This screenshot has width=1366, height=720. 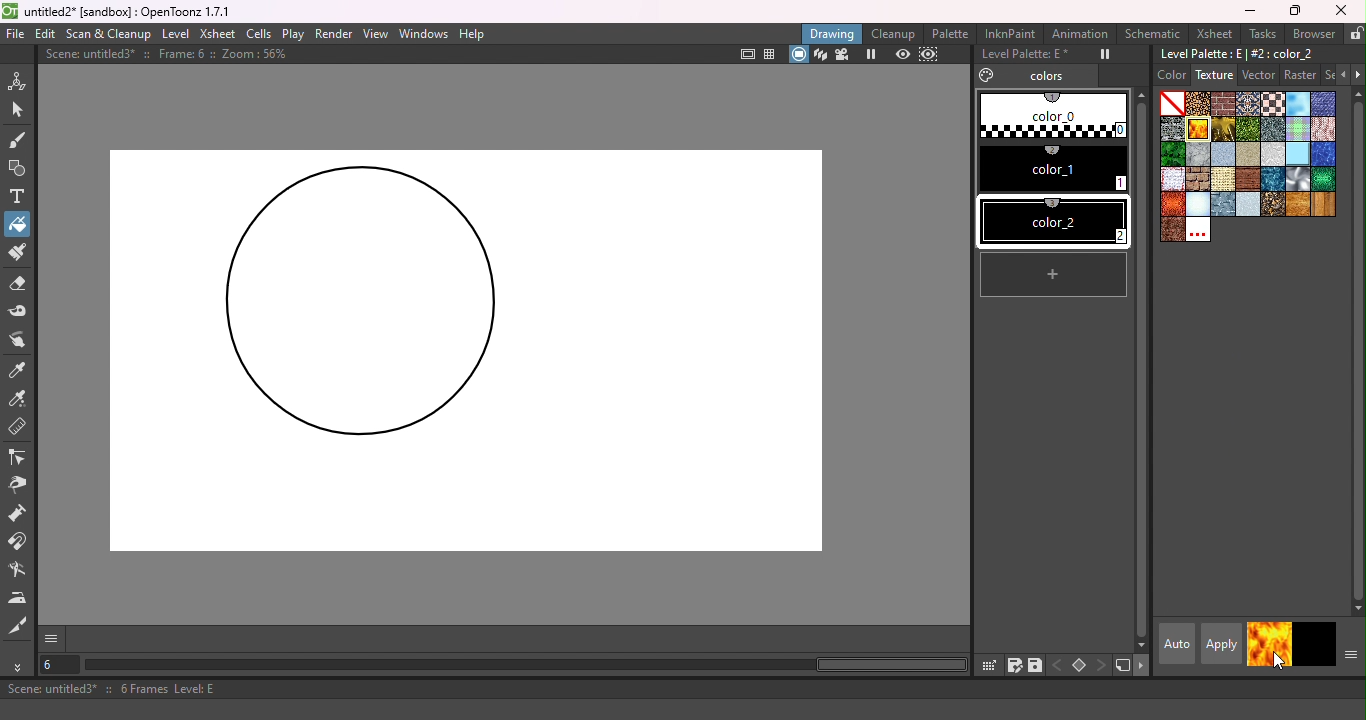 What do you see at coordinates (845, 54) in the screenshot?
I see `Camera view` at bounding box center [845, 54].